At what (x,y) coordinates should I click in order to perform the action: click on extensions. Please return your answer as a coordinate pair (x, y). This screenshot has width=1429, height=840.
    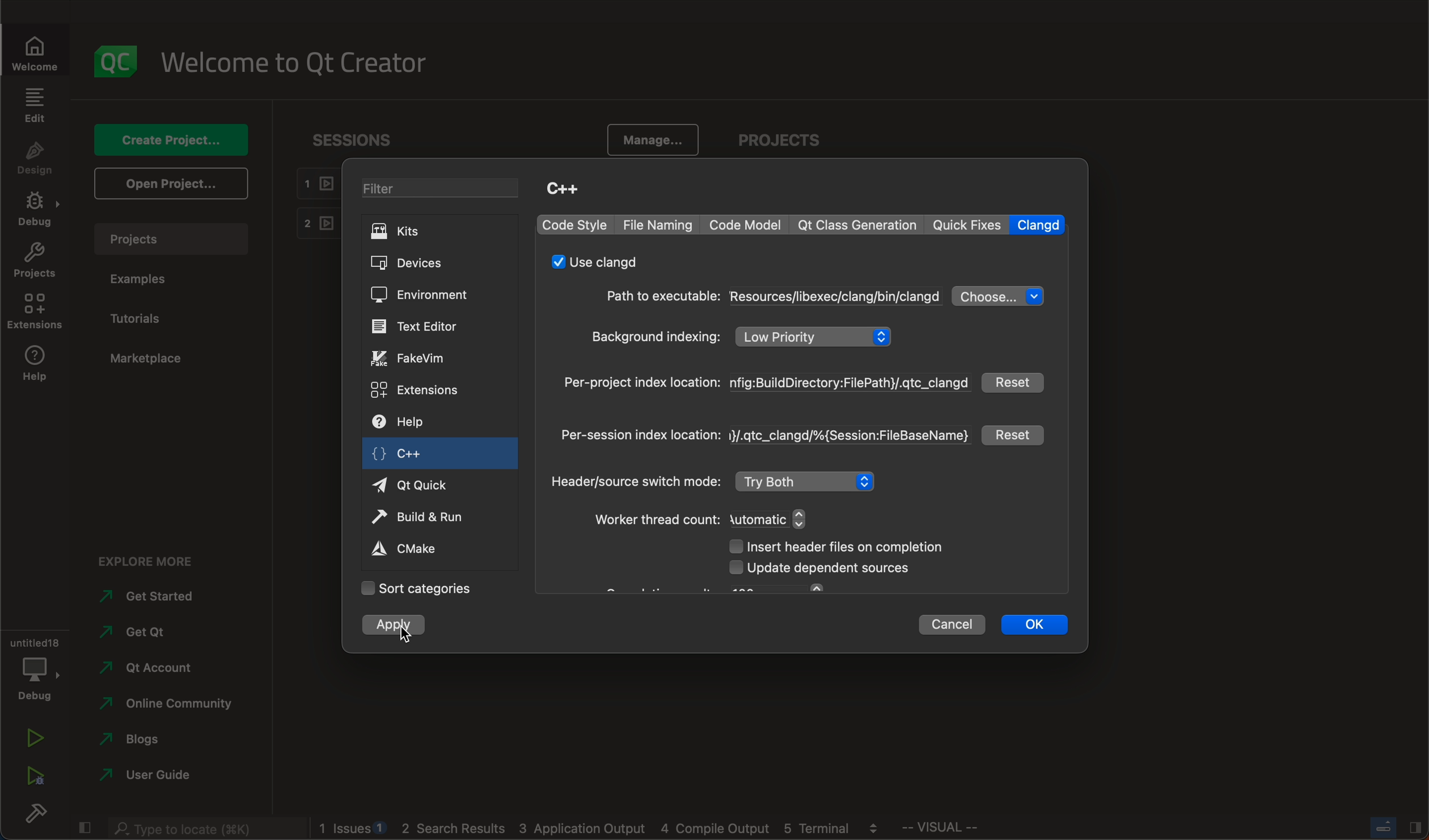
    Looking at the image, I should click on (35, 314).